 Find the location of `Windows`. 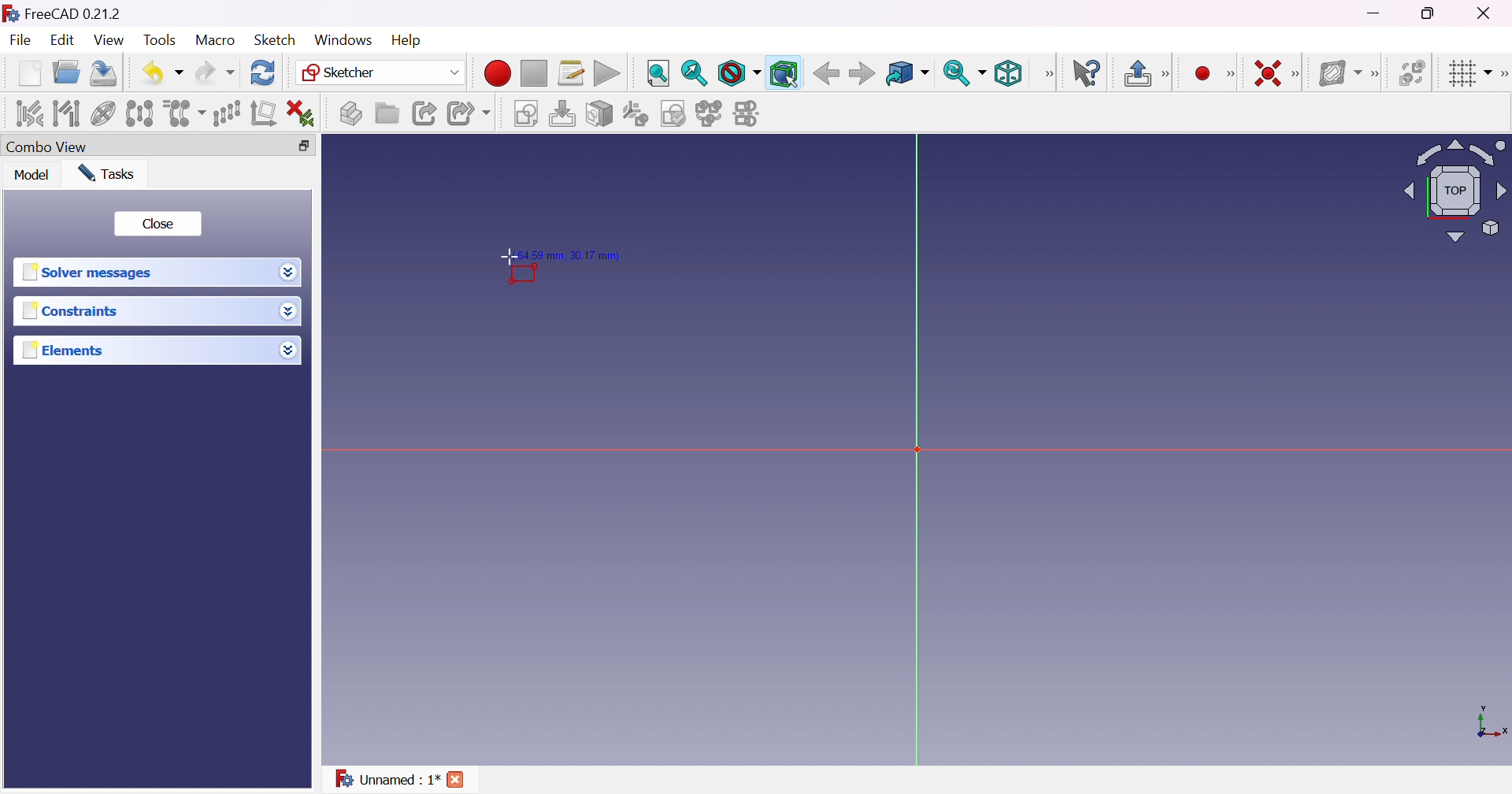

Windows is located at coordinates (343, 40).